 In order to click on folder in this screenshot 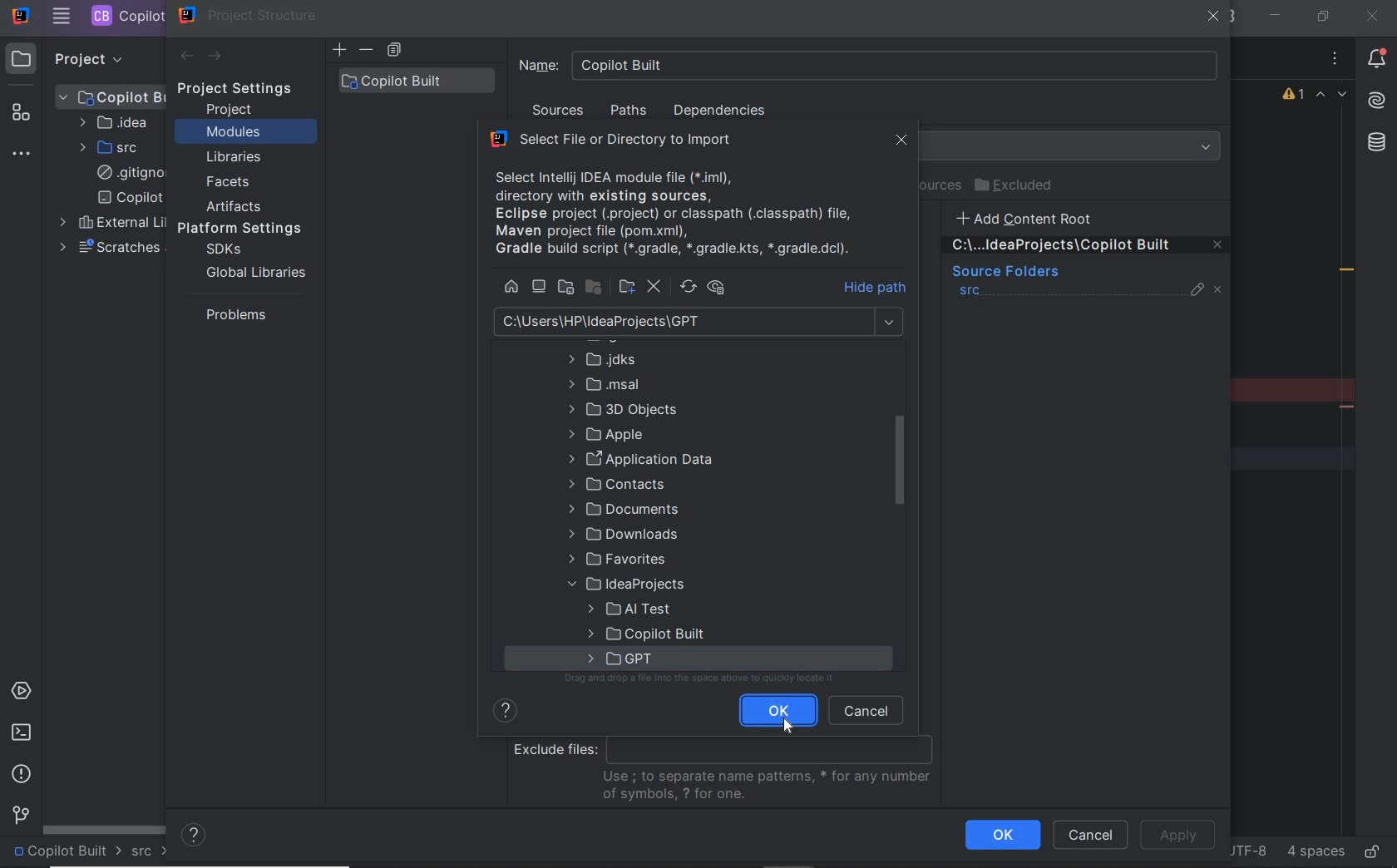, I will do `click(621, 535)`.